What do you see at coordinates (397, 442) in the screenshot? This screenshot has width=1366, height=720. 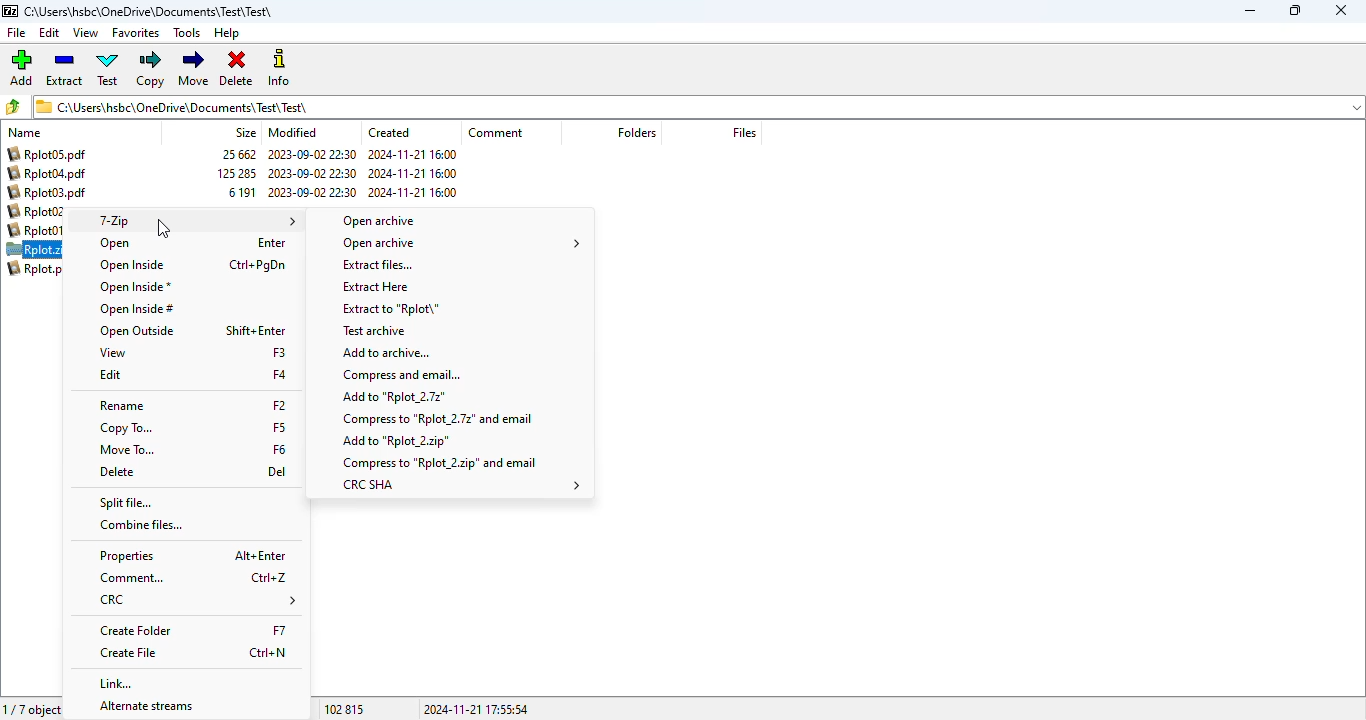 I see `add to "Rplot_2.zip"` at bounding box center [397, 442].